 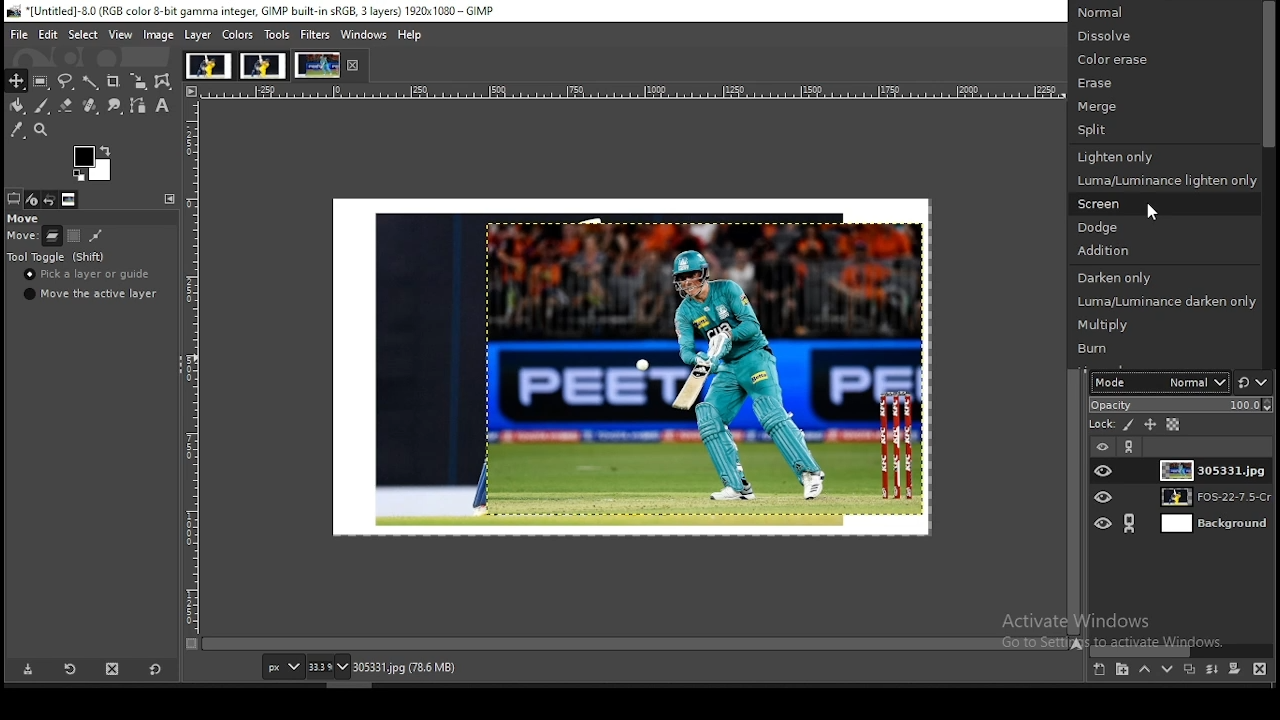 What do you see at coordinates (209, 63) in the screenshot?
I see `image` at bounding box center [209, 63].